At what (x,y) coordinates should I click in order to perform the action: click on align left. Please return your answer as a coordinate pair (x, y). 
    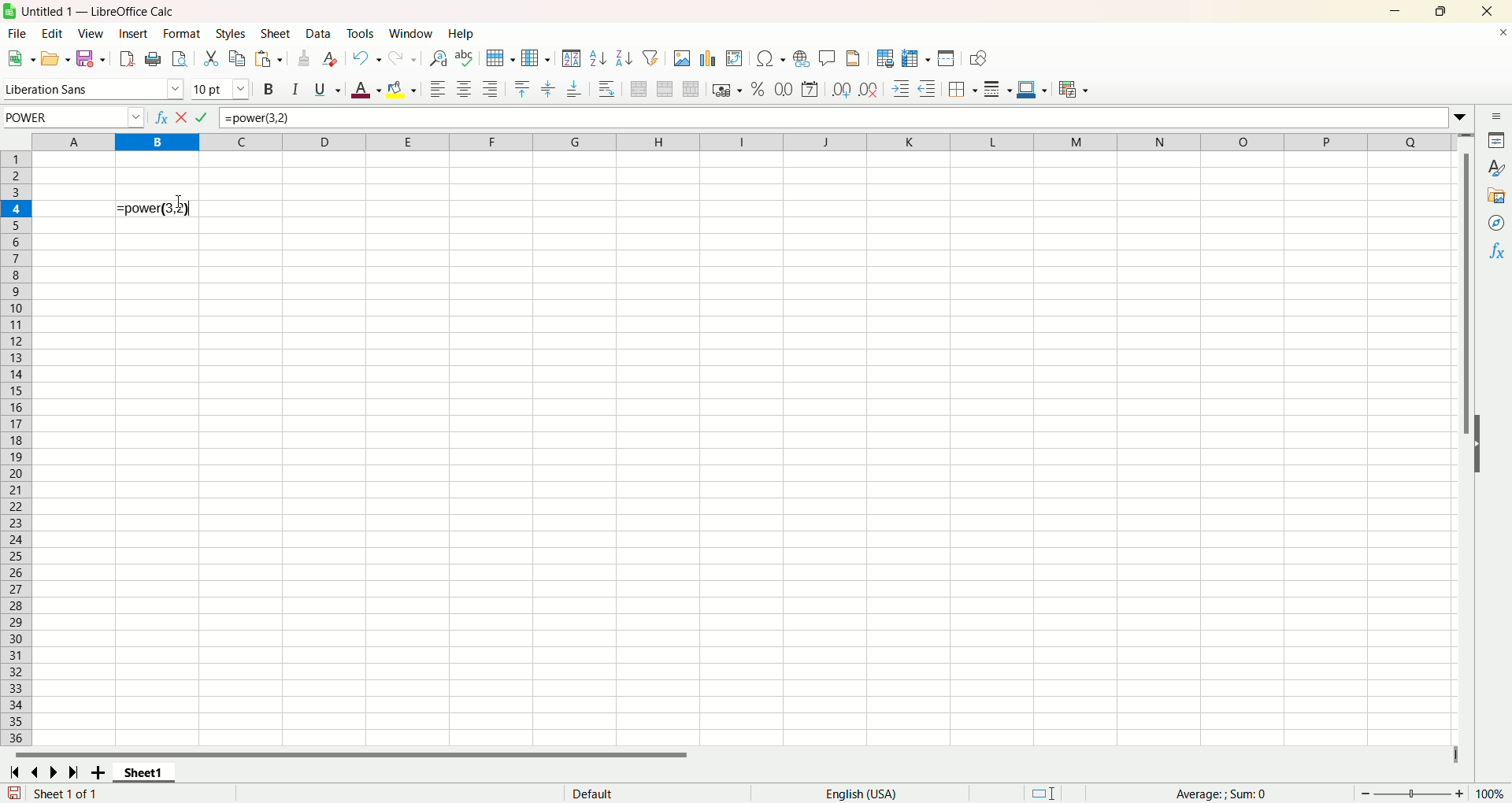
    Looking at the image, I should click on (437, 90).